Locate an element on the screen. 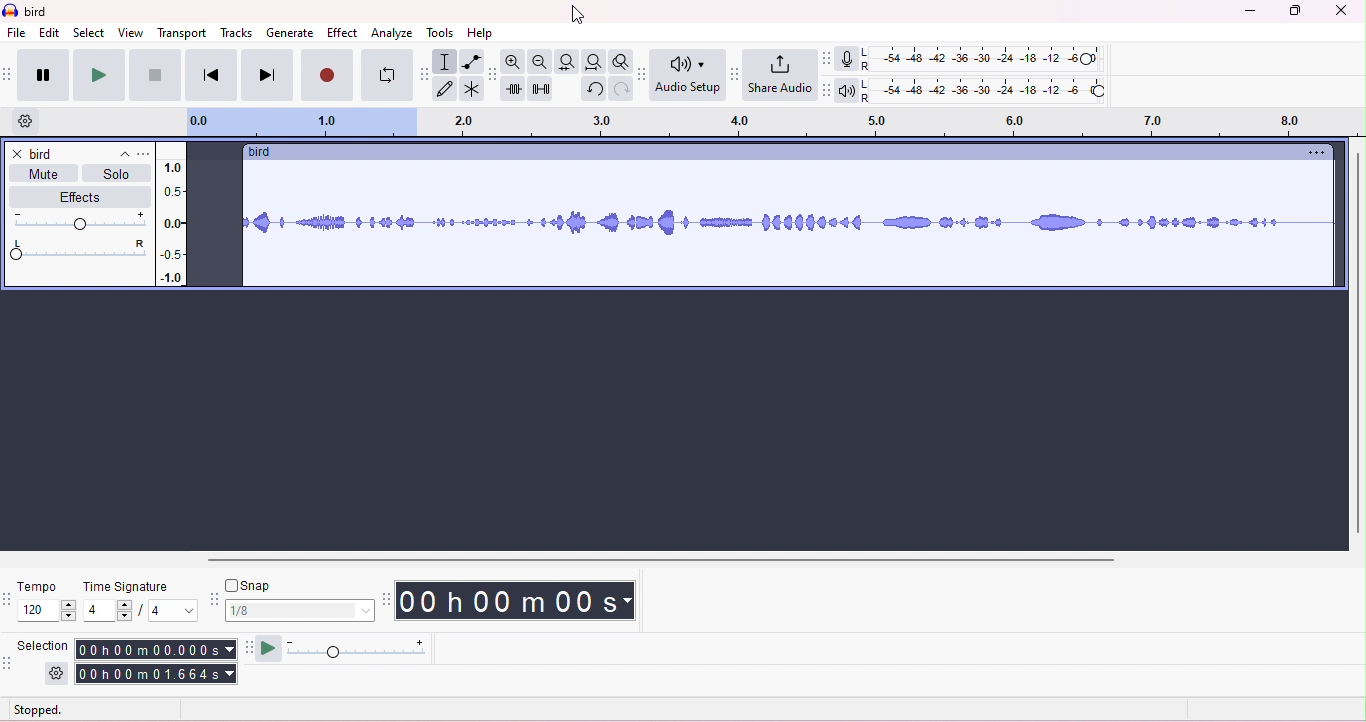  trim outside selection is located at coordinates (515, 90).